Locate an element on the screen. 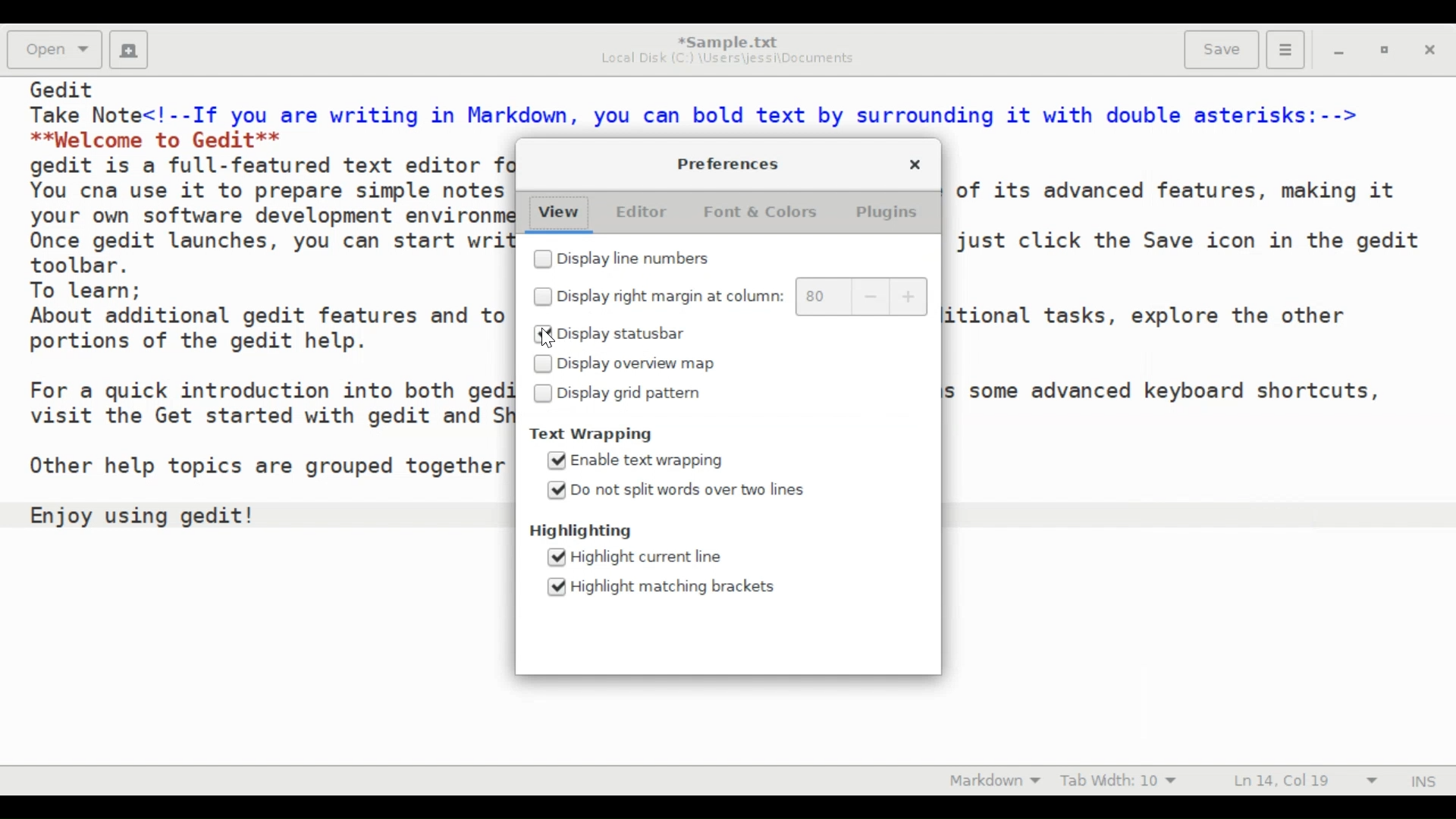 The image size is (1456, 819). (un)select right margin at column is located at coordinates (659, 295).